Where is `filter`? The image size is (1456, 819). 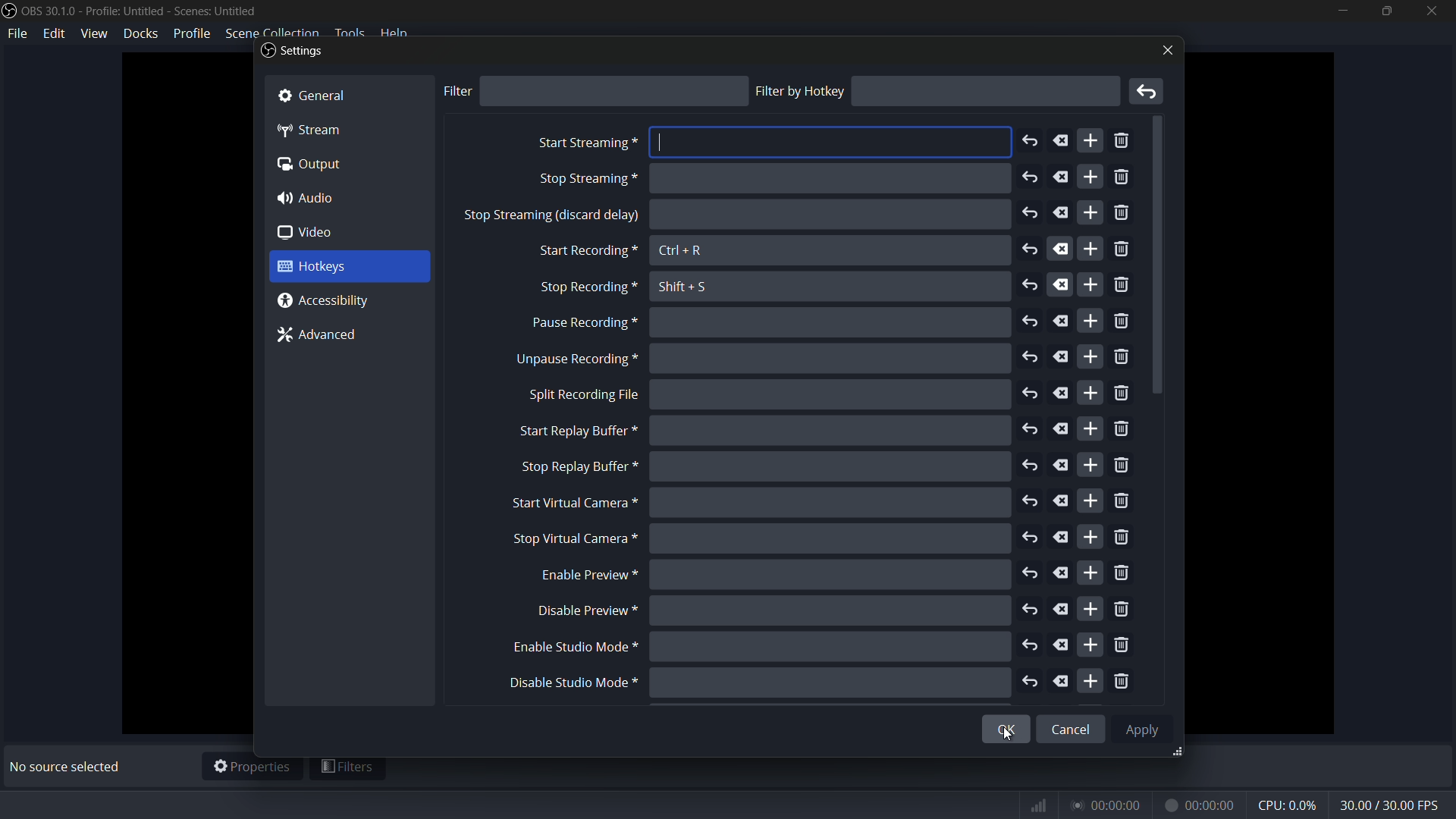 filter is located at coordinates (457, 91).